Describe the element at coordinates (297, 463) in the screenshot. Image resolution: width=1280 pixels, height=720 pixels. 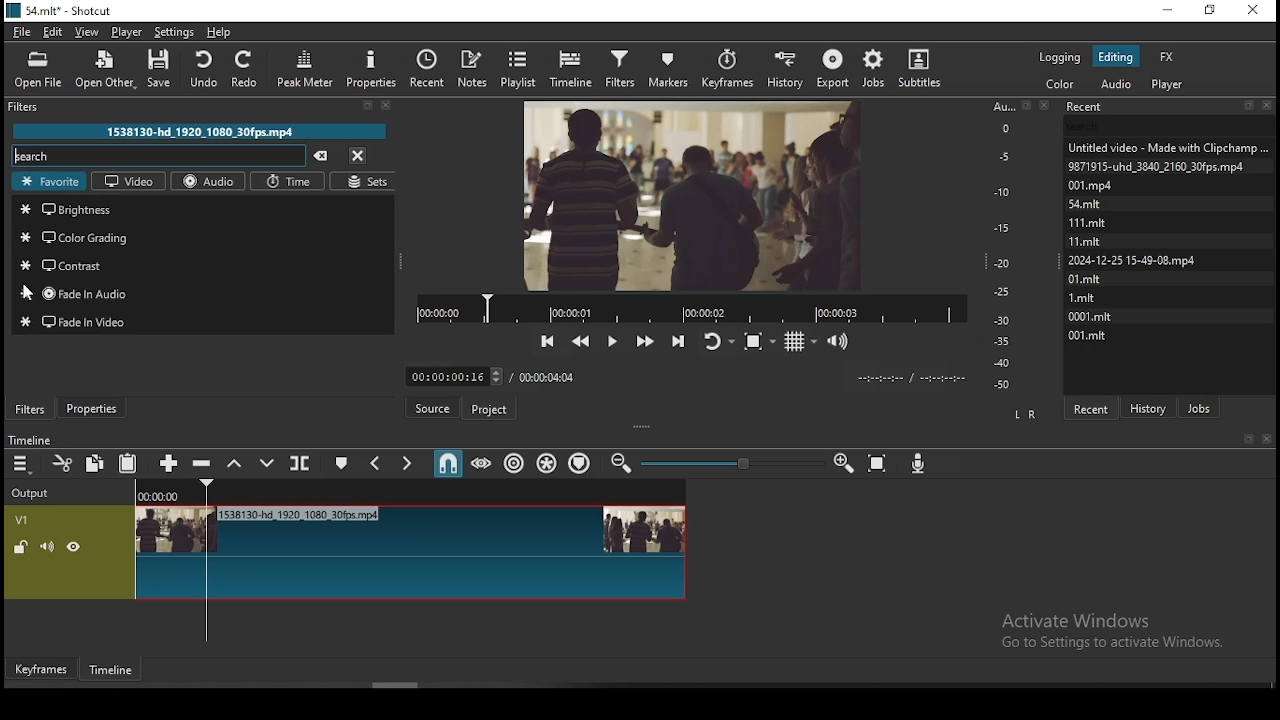
I see `split at playhead` at that location.